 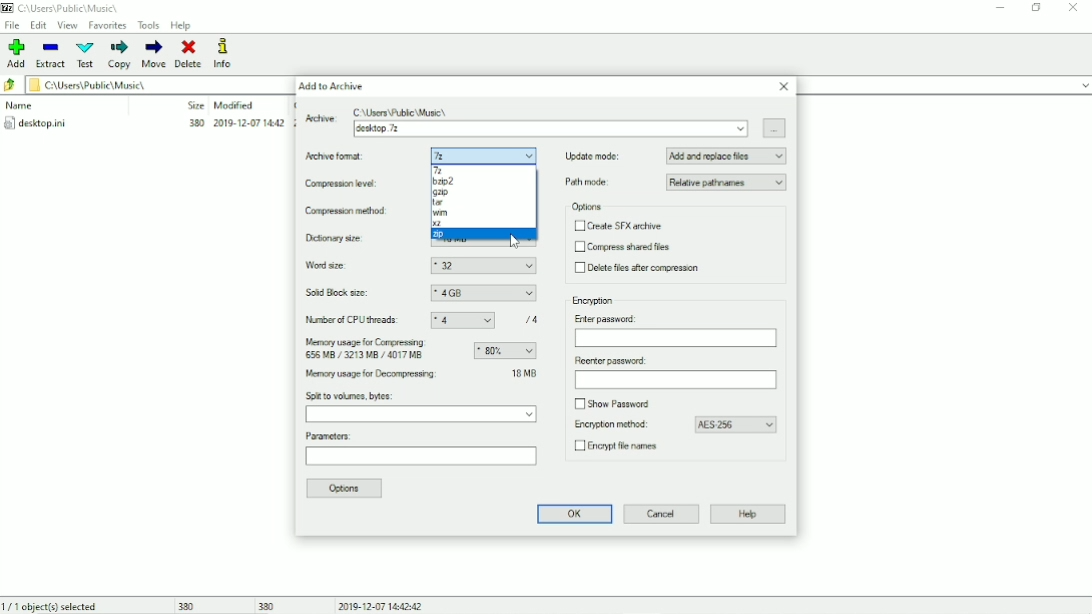 I want to click on File location, so click(x=152, y=84).